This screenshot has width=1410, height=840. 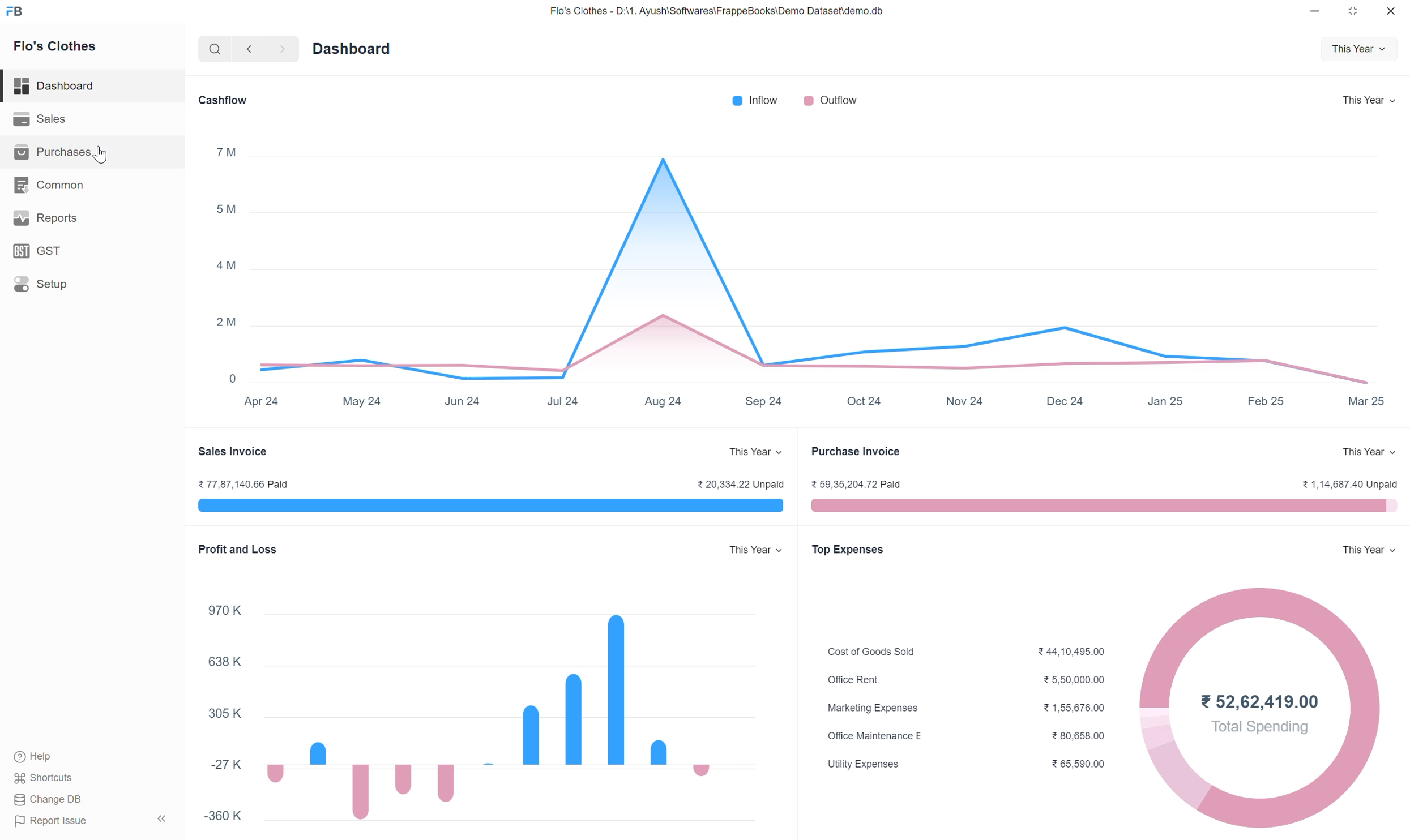 I want to click on cost of goods sold, so click(x=871, y=652).